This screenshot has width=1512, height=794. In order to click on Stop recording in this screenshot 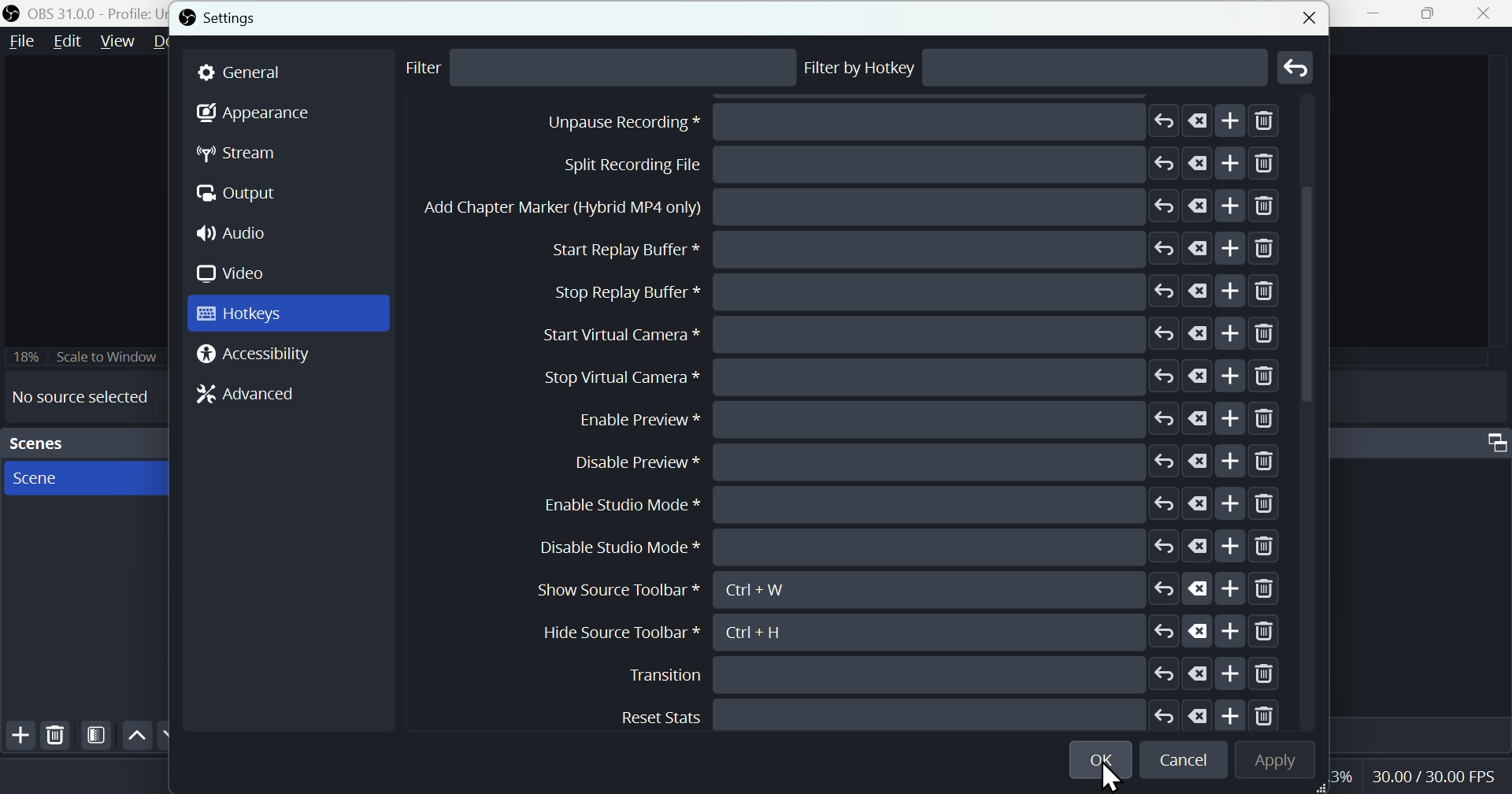, I will do `click(854, 209)`.